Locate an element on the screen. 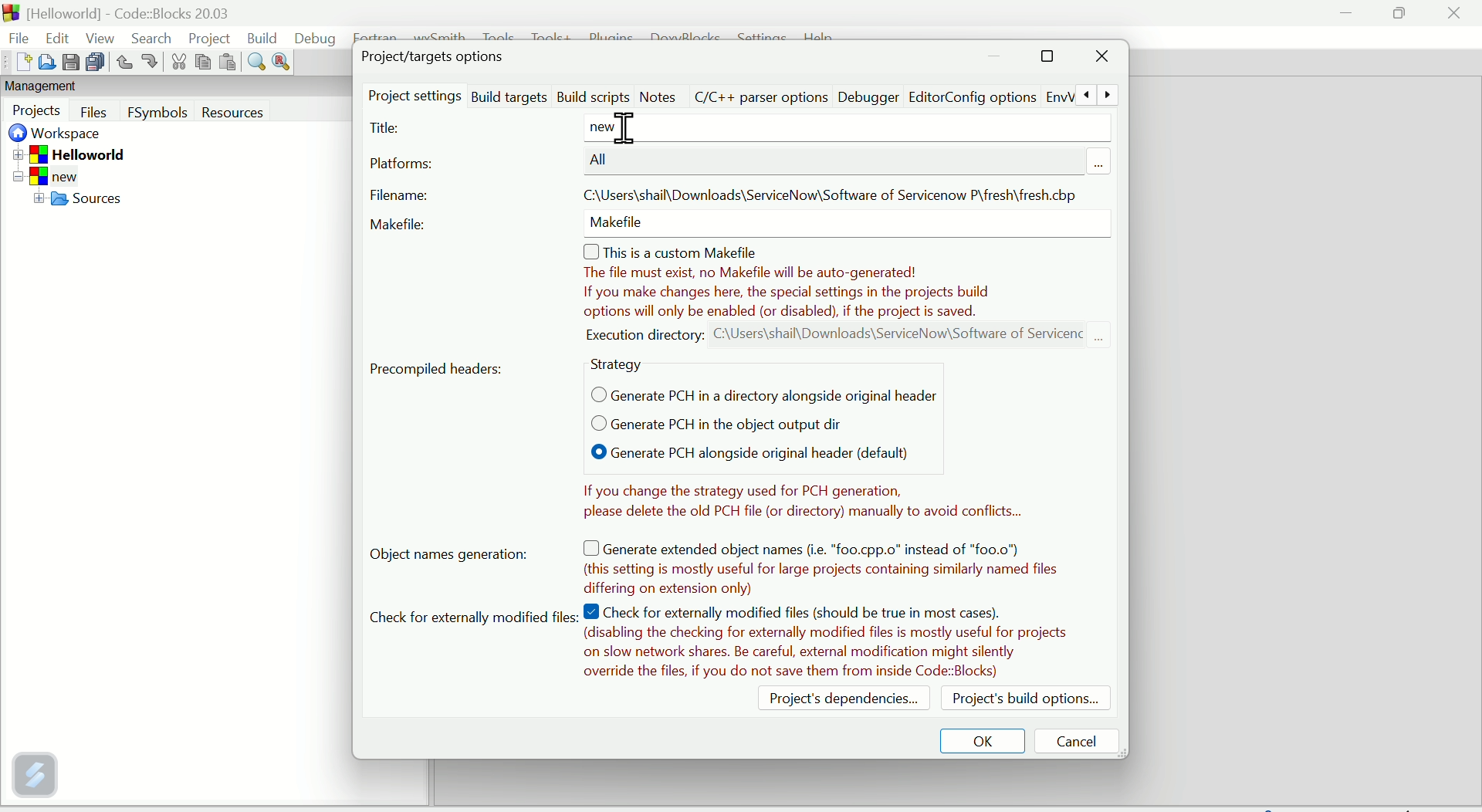 This screenshot has height=812, width=1482. F symbols is located at coordinates (158, 116).